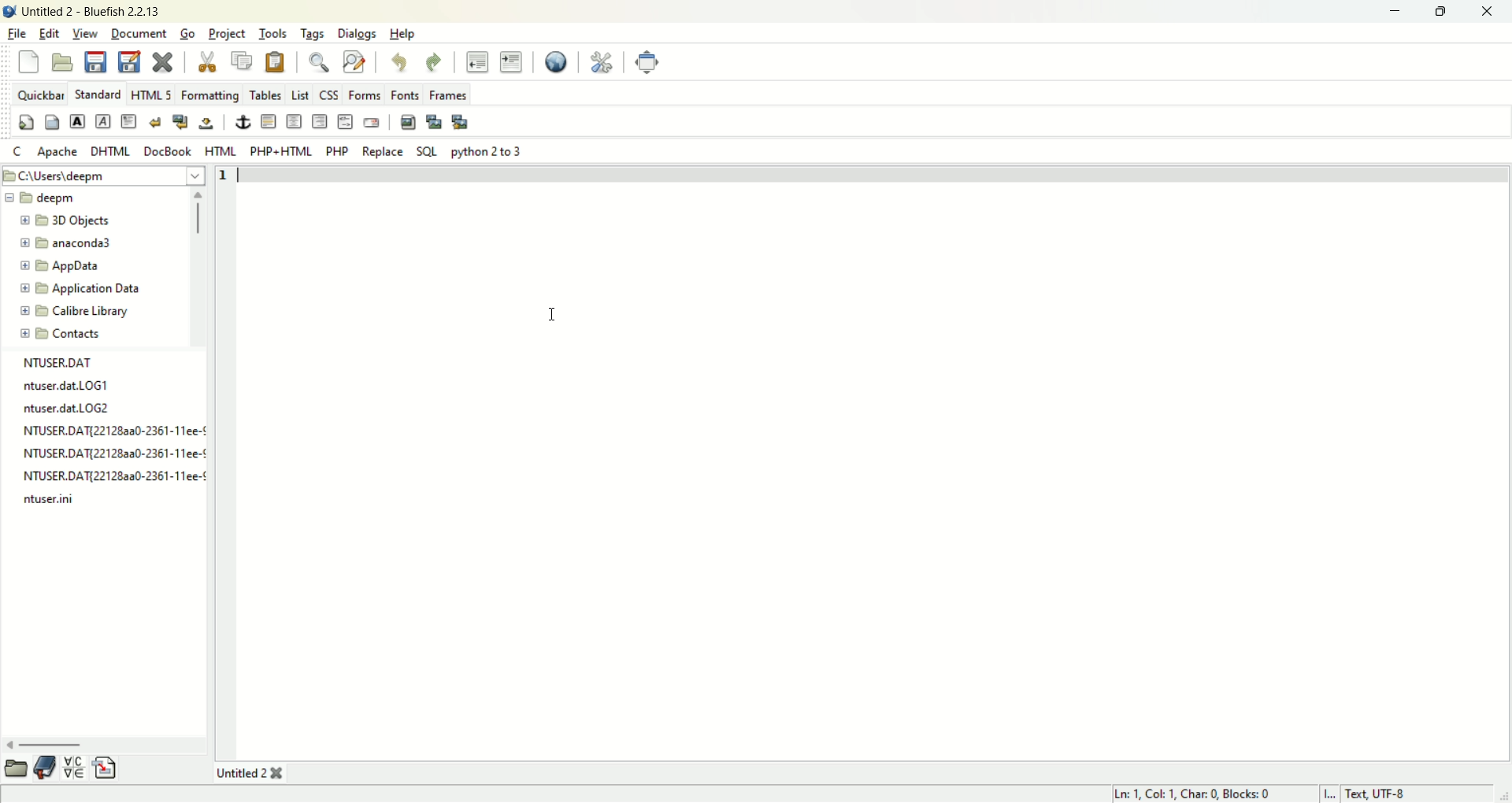  What do you see at coordinates (100, 94) in the screenshot?
I see `standard` at bounding box center [100, 94].